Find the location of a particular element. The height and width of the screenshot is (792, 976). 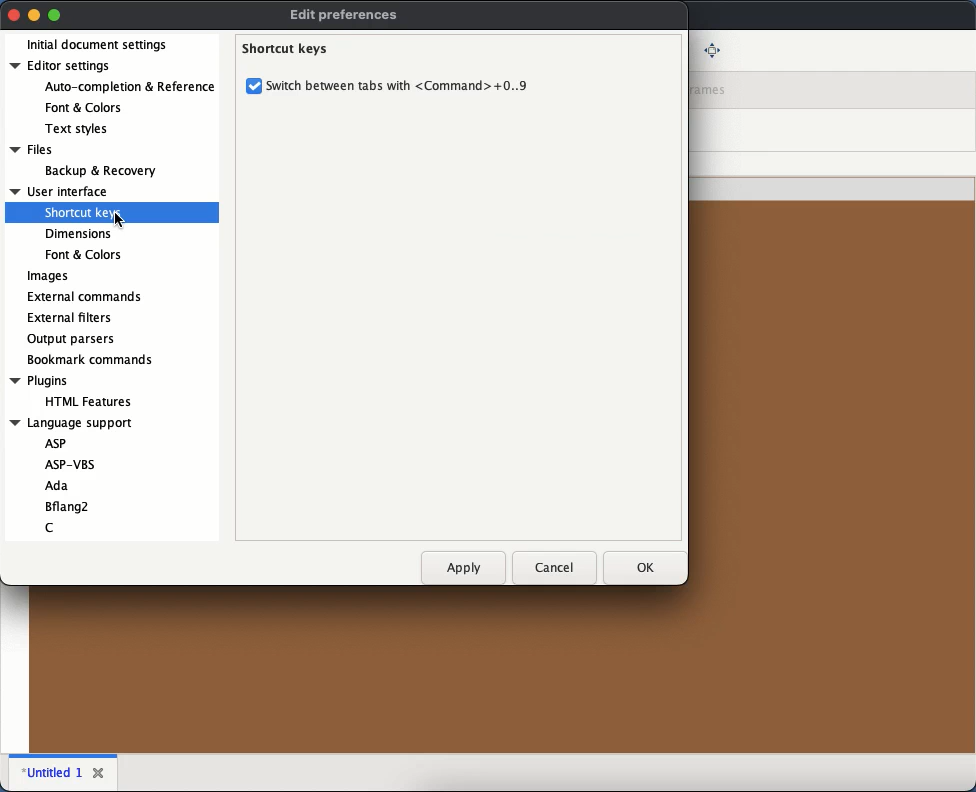

Font & Colors is located at coordinates (85, 108).